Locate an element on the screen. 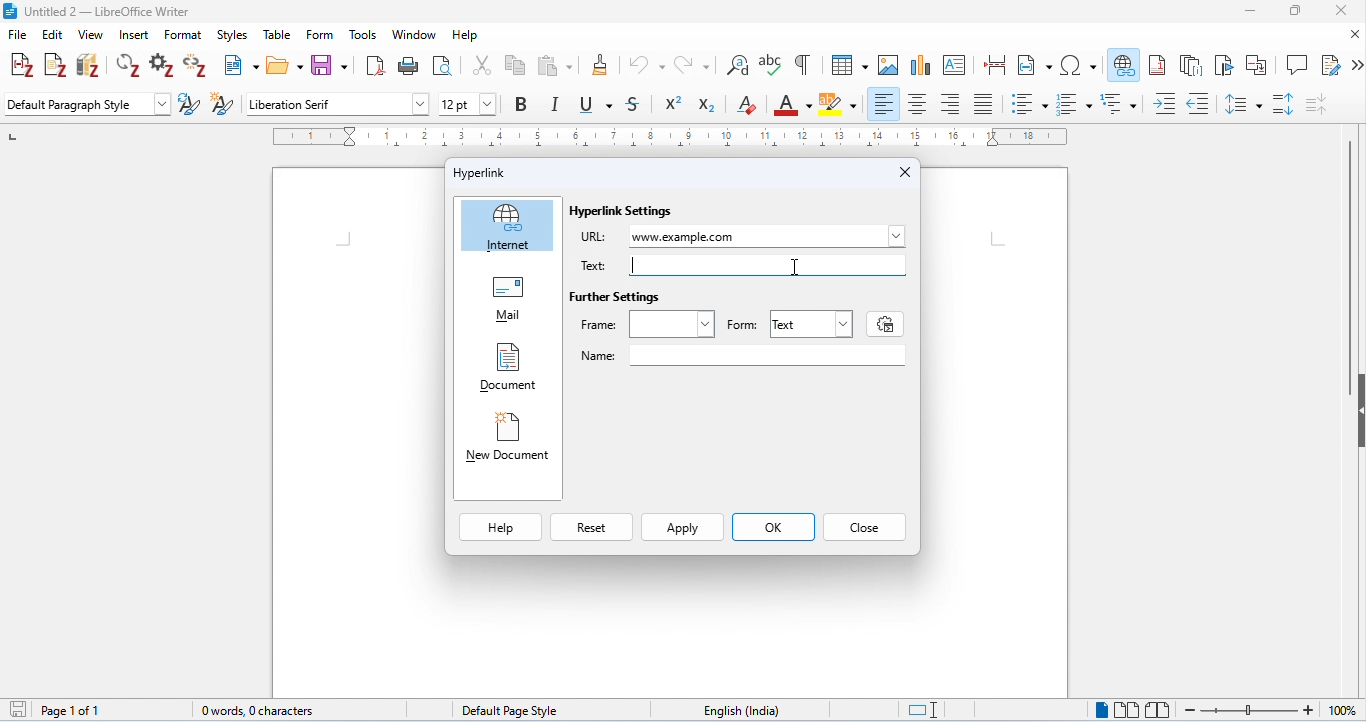 The image size is (1366, 722). add note is located at coordinates (56, 65).